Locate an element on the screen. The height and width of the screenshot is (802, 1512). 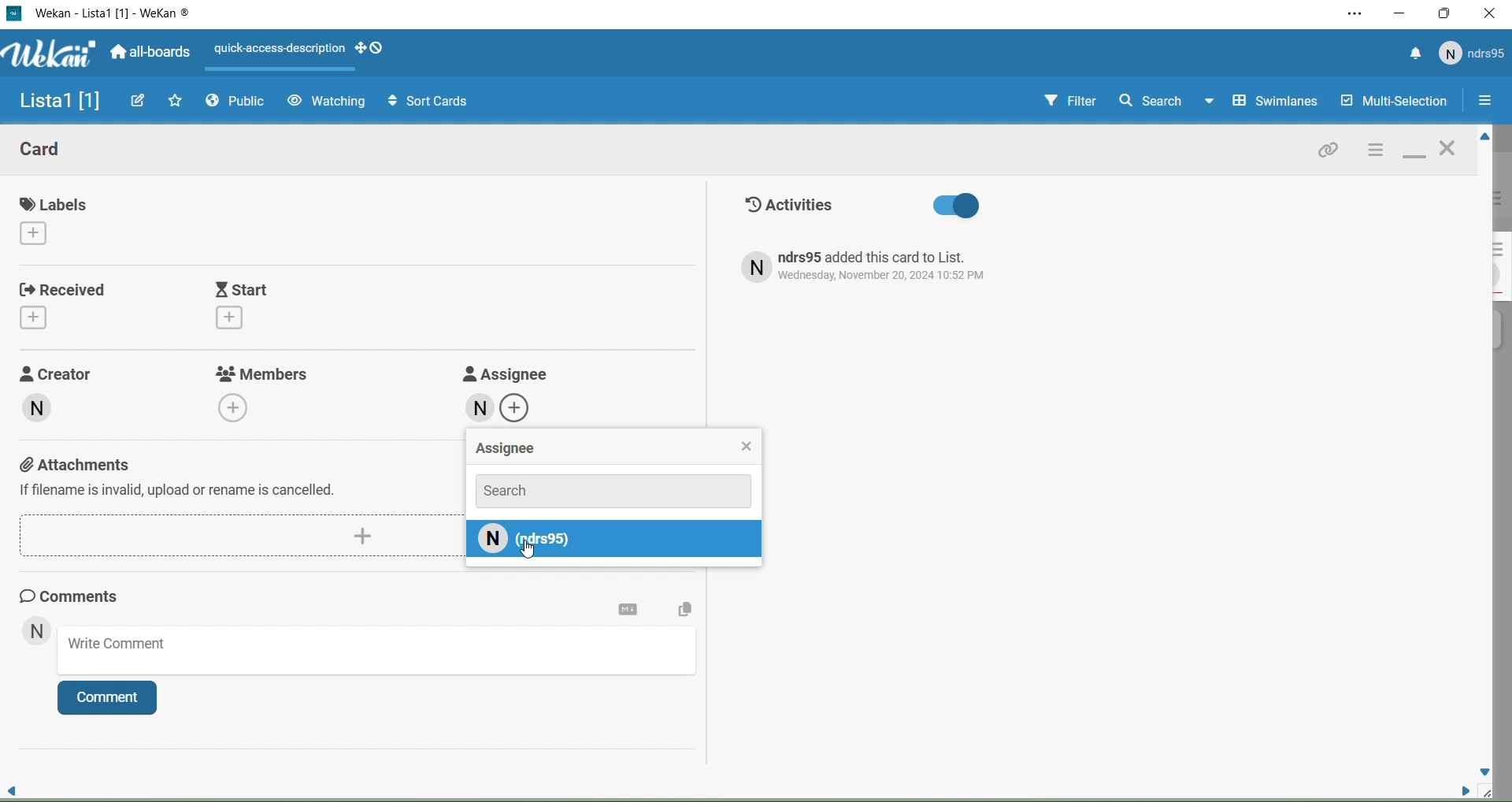
Activities is located at coordinates (862, 206).